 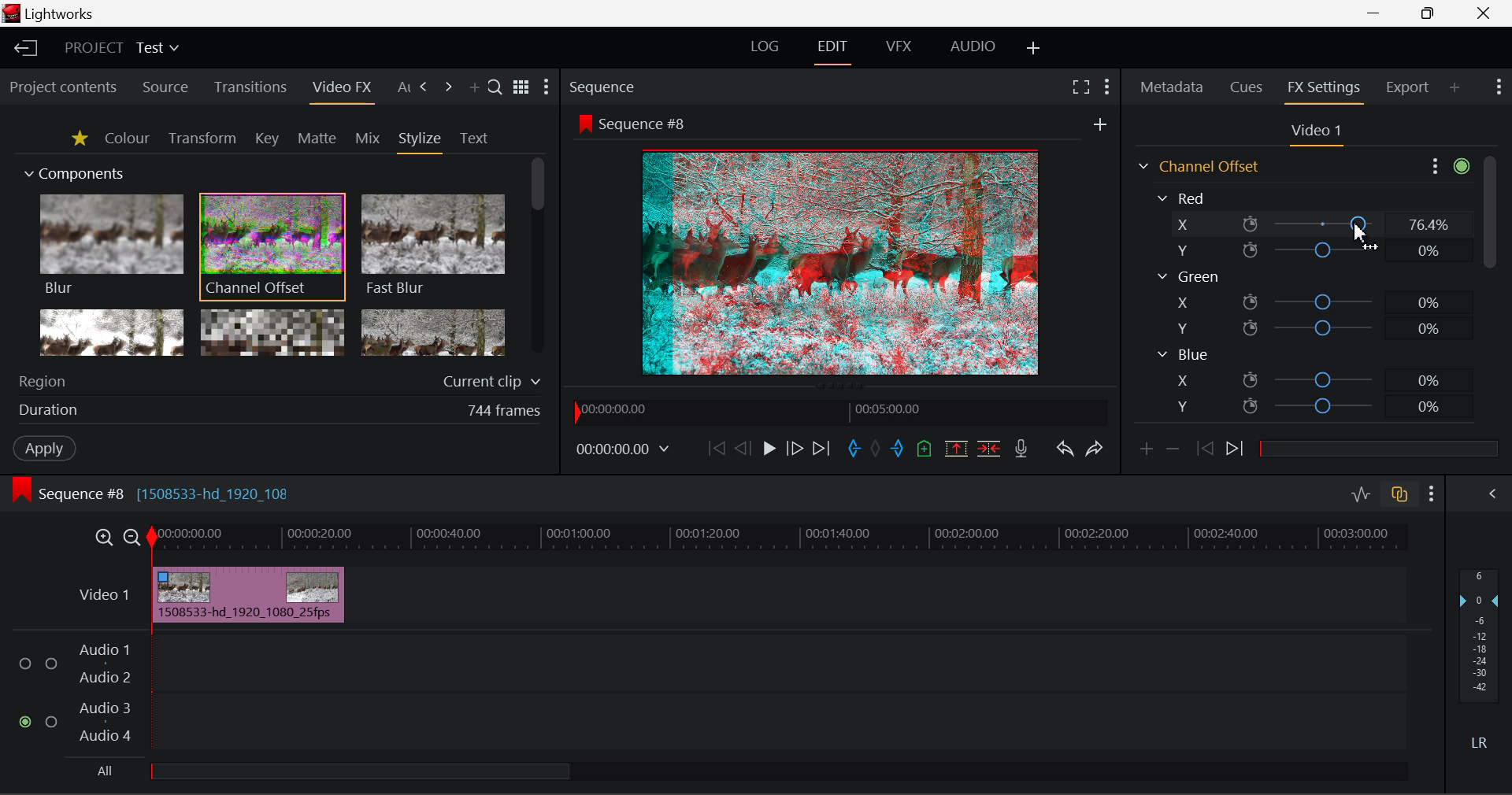 What do you see at coordinates (925, 447) in the screenshot?
I see `Mark Cue` at bounding box center [925, 447].